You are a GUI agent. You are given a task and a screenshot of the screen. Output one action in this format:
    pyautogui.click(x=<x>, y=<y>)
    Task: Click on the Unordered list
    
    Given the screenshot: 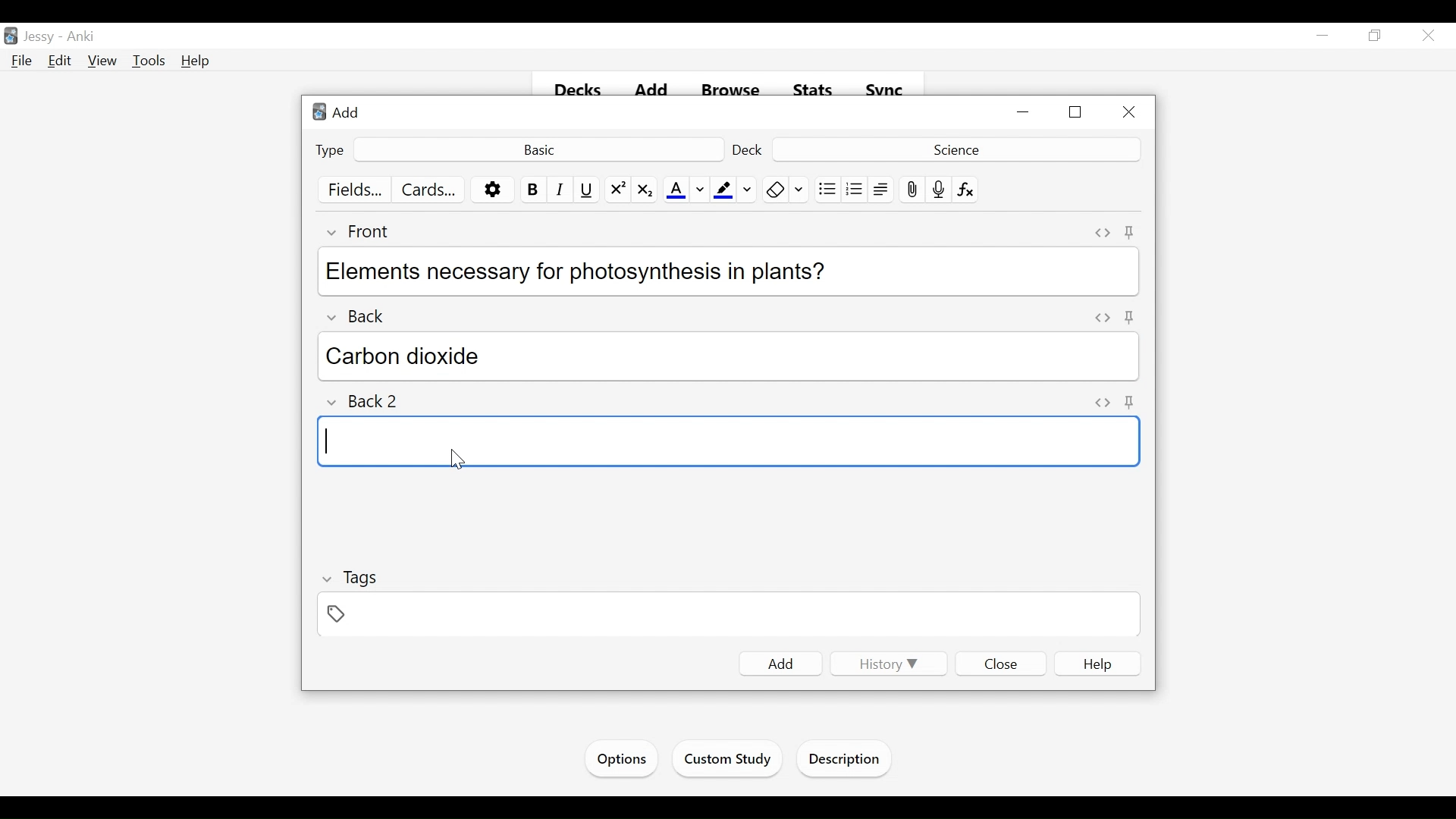 What is the action you would take?
    pyautogui.click(x=827, y=190)
    